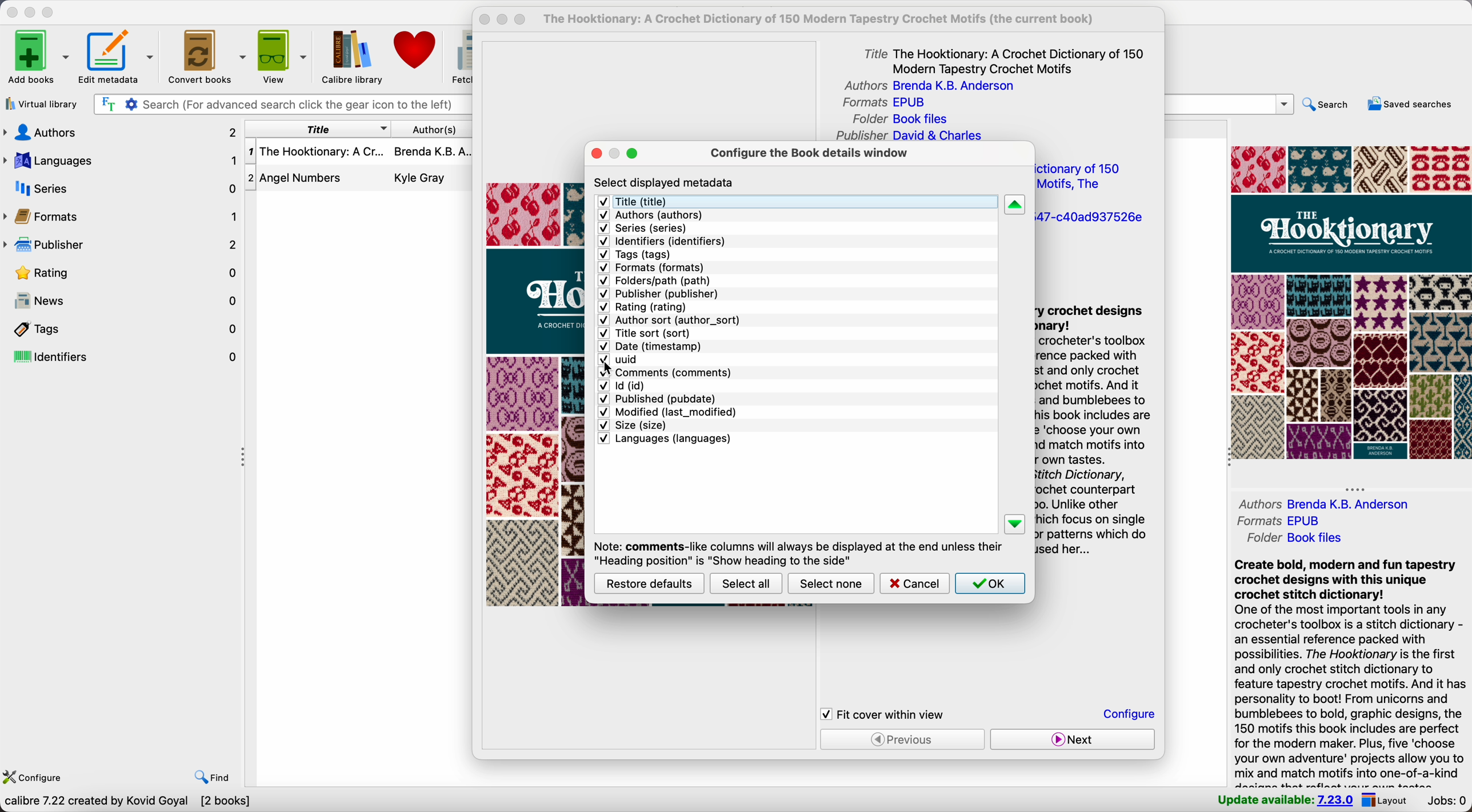  What do you see at coordinates (660, 294) in the screenshot?
I see `publisher` at bounding box center [660, 294].